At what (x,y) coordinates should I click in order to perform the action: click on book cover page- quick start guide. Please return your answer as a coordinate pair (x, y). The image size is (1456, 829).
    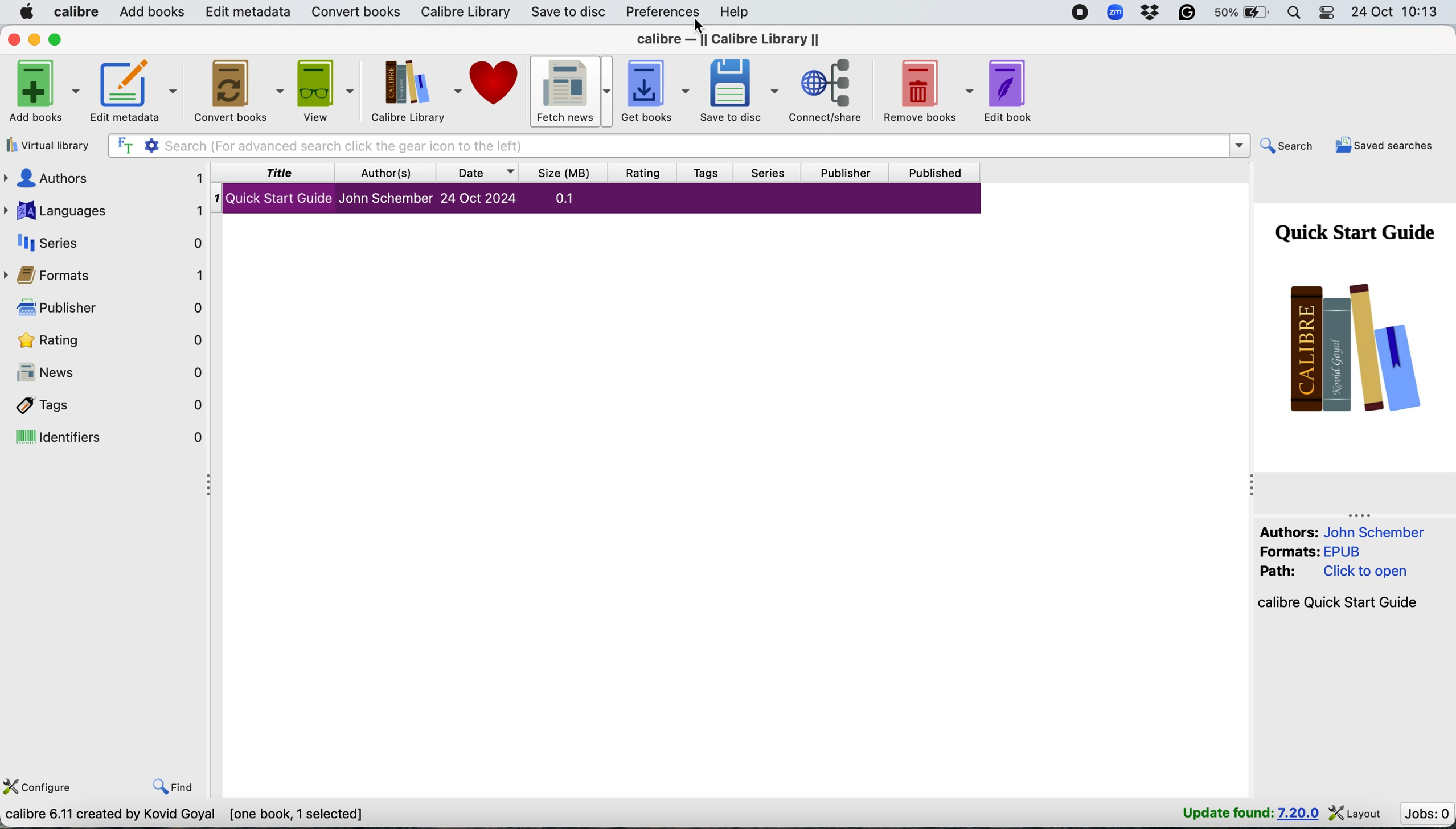
    Looking at the image, I should click on (1352, 322).